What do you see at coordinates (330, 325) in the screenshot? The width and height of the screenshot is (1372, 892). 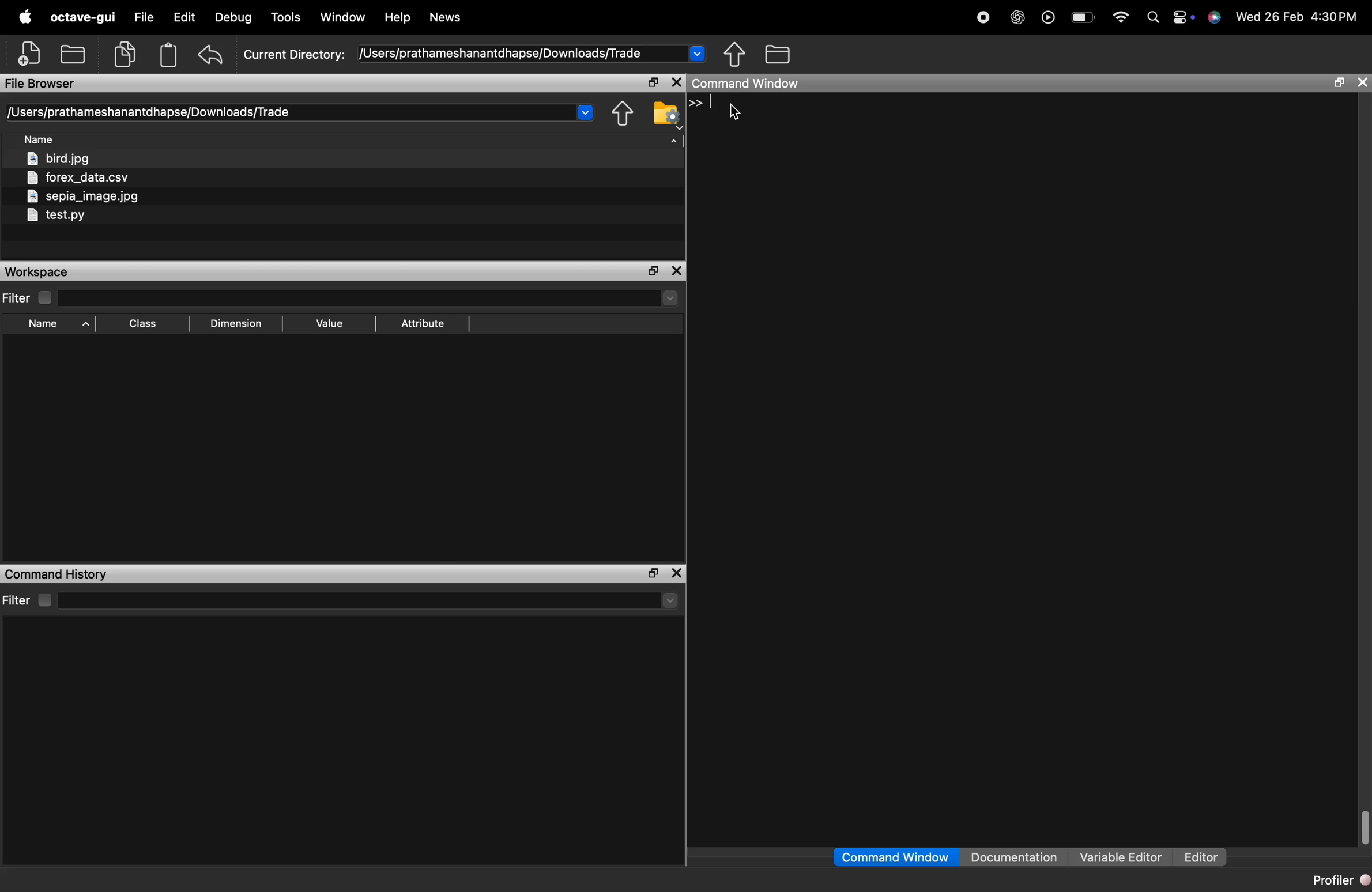 I see `Value` at bounding box center [330, 325].